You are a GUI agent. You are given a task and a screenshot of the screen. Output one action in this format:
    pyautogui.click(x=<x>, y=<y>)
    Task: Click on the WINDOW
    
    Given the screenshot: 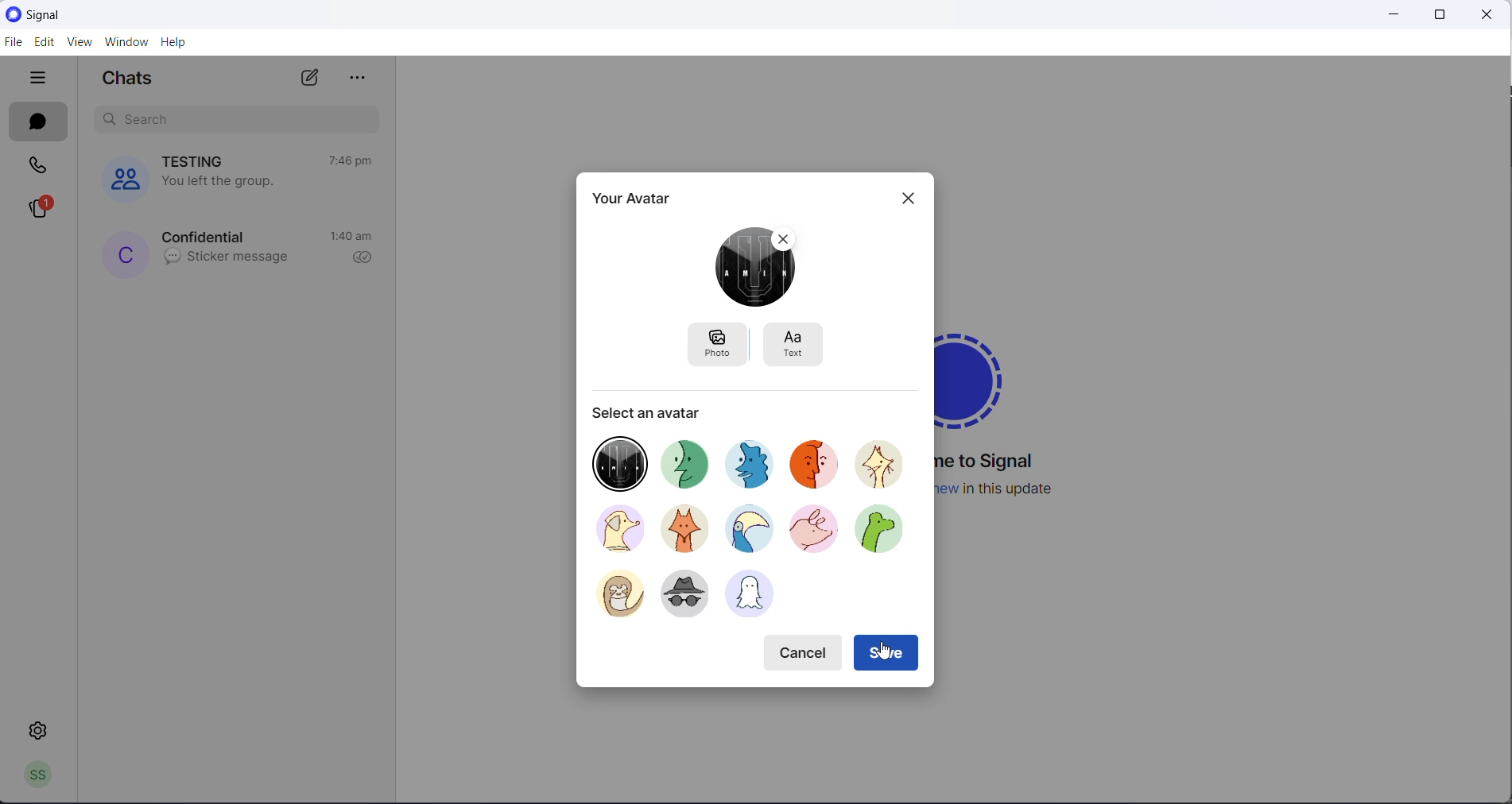 What is the action you would take?
    pyautogui.click(x=126, y=42)
    